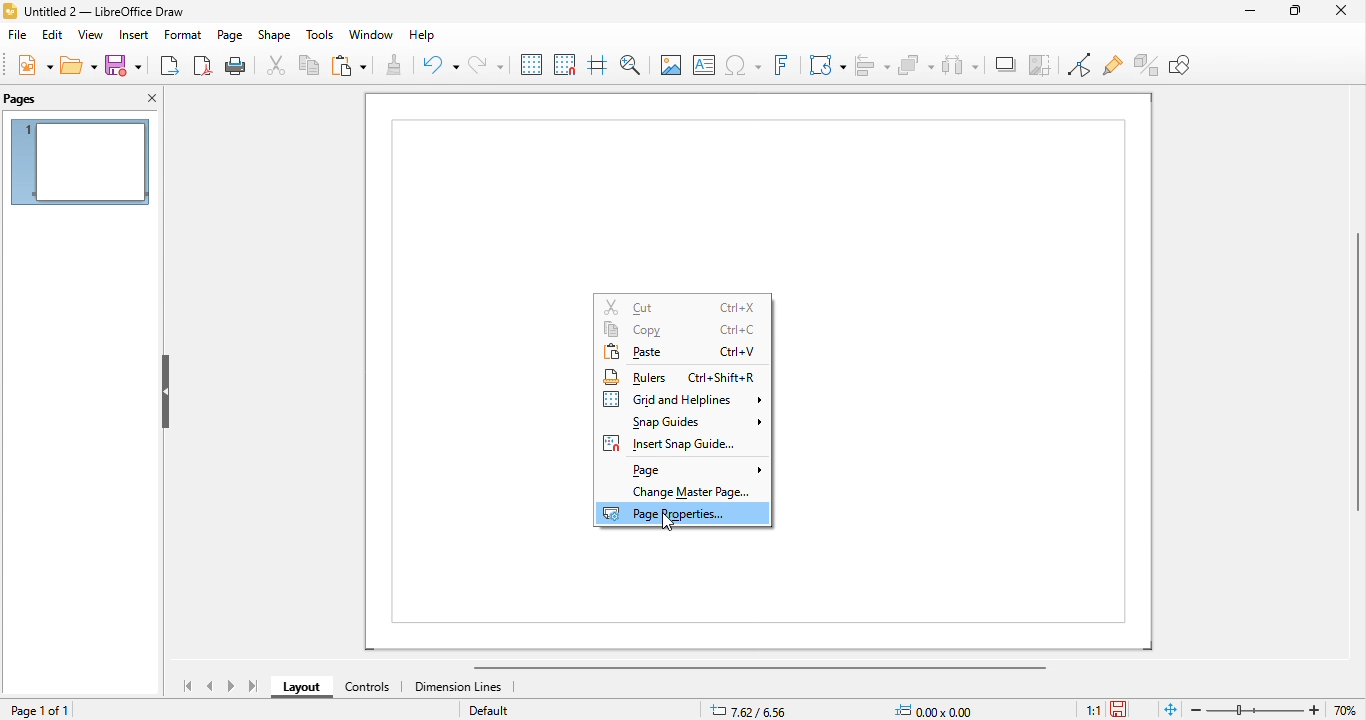 The image size is (1366, 720). What do you see at coordinates (424, 36) in the screenshot?
I see `help` at bounding box center [424, 36].